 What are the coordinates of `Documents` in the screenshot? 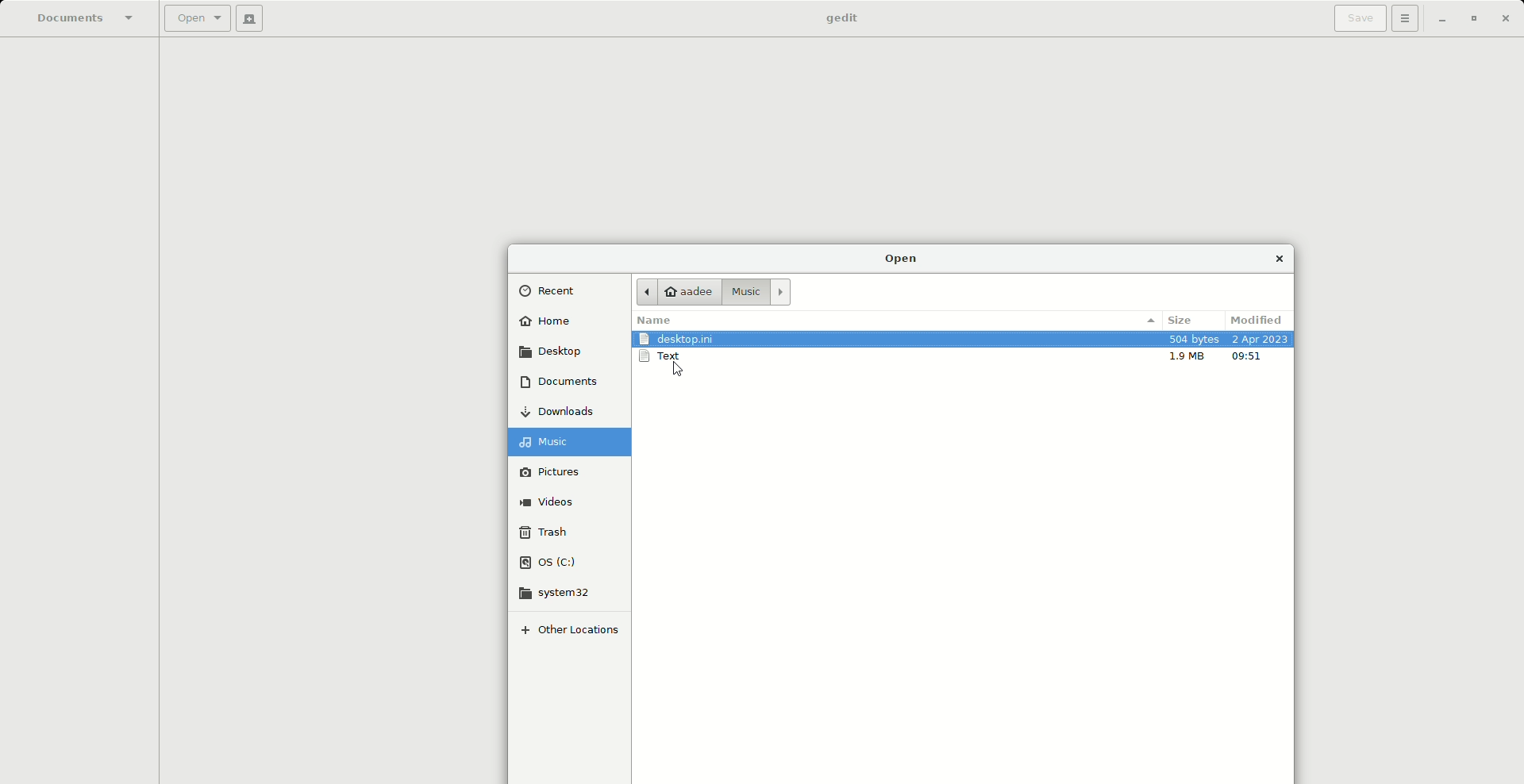 It's located at (561, 386).